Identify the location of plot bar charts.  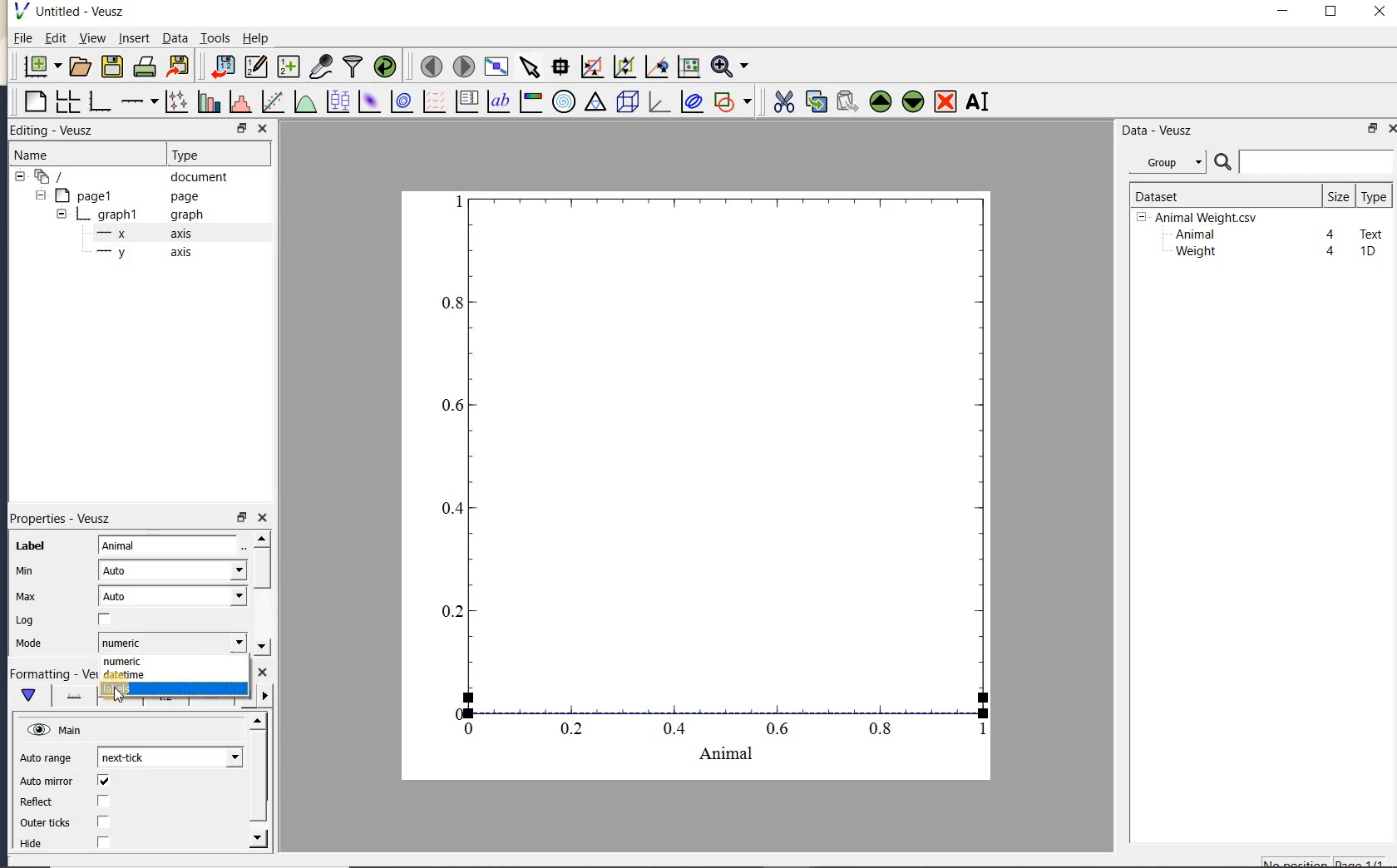
(209, 101).